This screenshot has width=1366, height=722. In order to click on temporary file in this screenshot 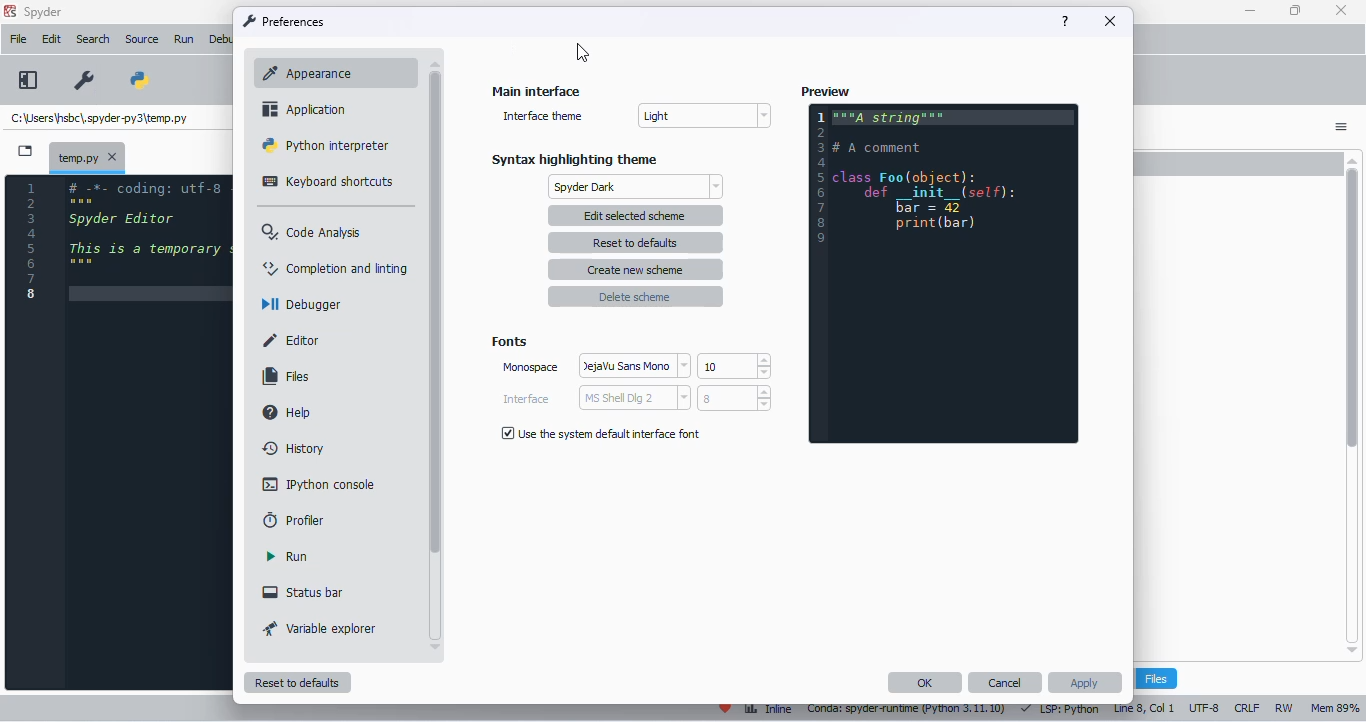, I will do `click(99, 118)`.